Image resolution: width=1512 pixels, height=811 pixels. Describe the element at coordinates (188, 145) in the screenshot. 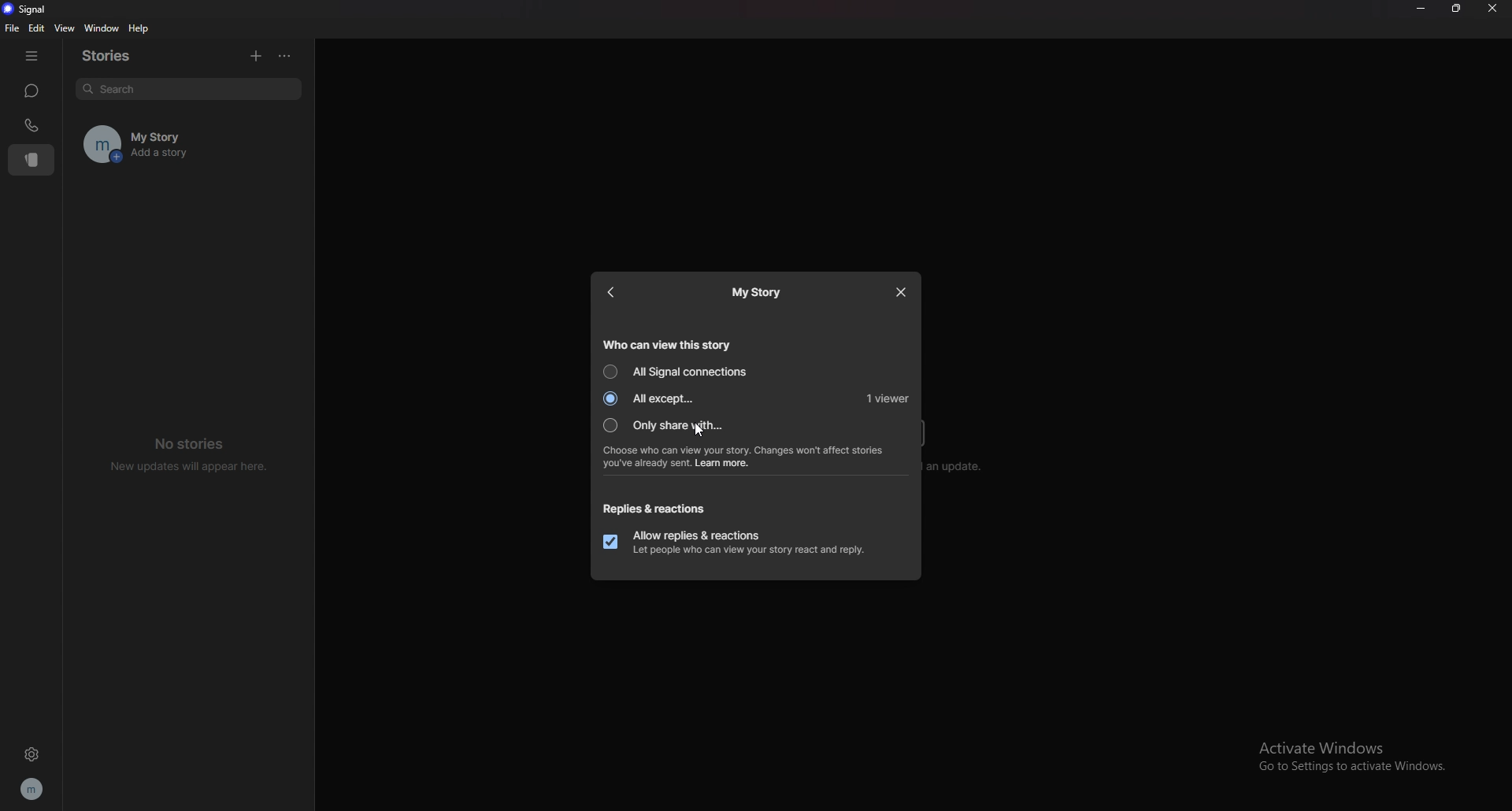

I see `my story` at that location.